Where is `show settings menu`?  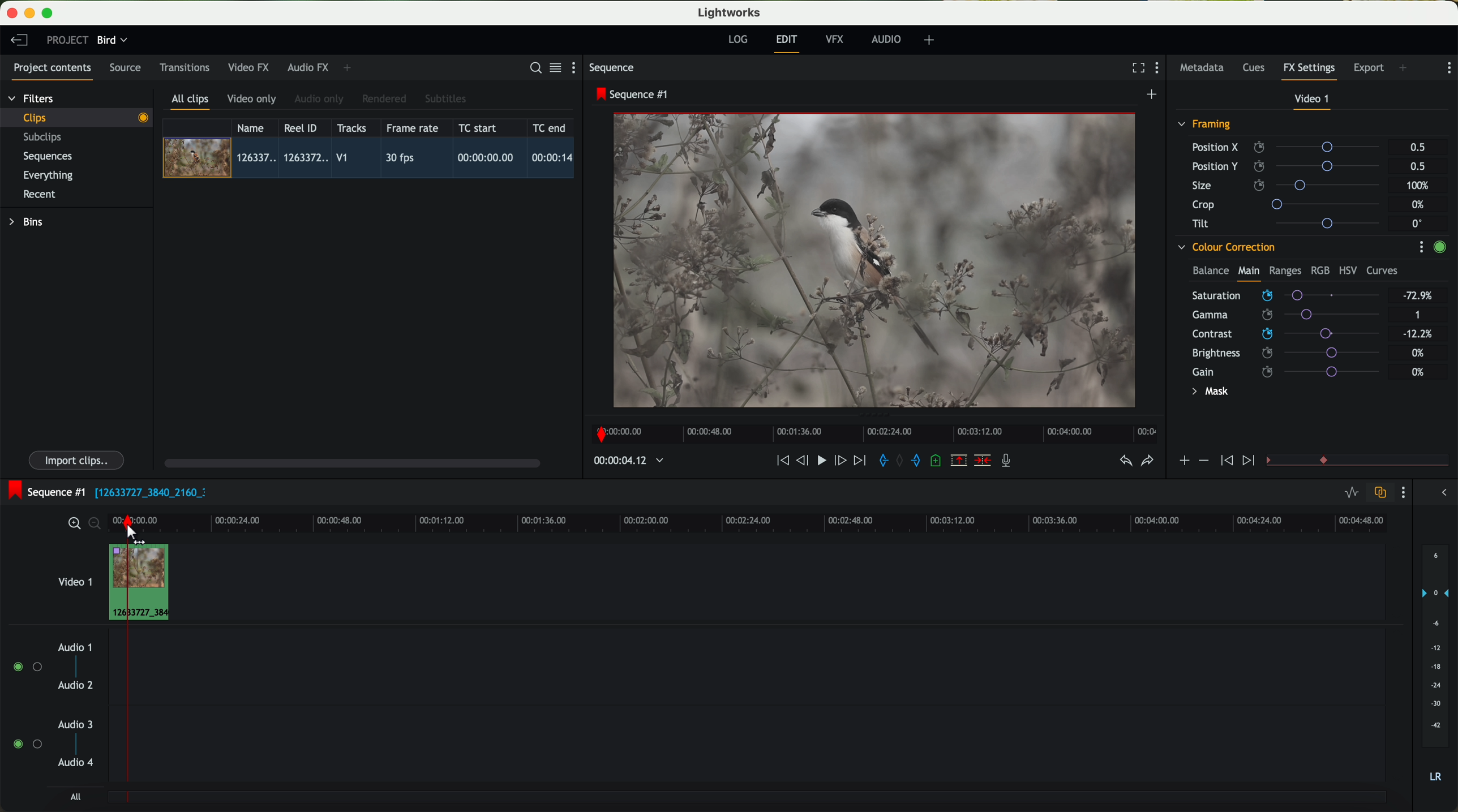
show settings menu is located at coordinates (578, 67).